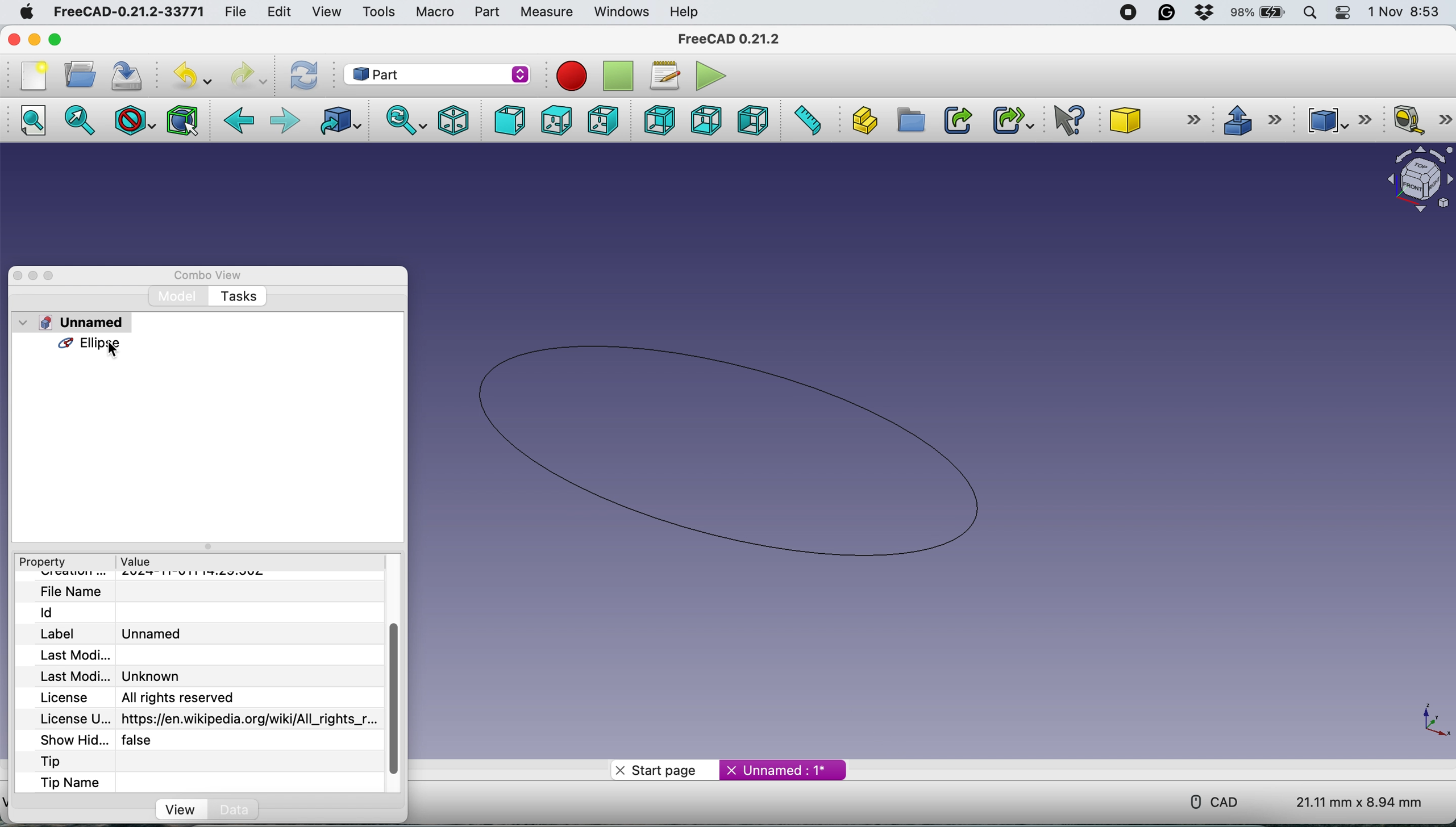  What do you see at coordinates (238, 296) in the screenshot?
I see `tasks` at bounding box center [238, 296].